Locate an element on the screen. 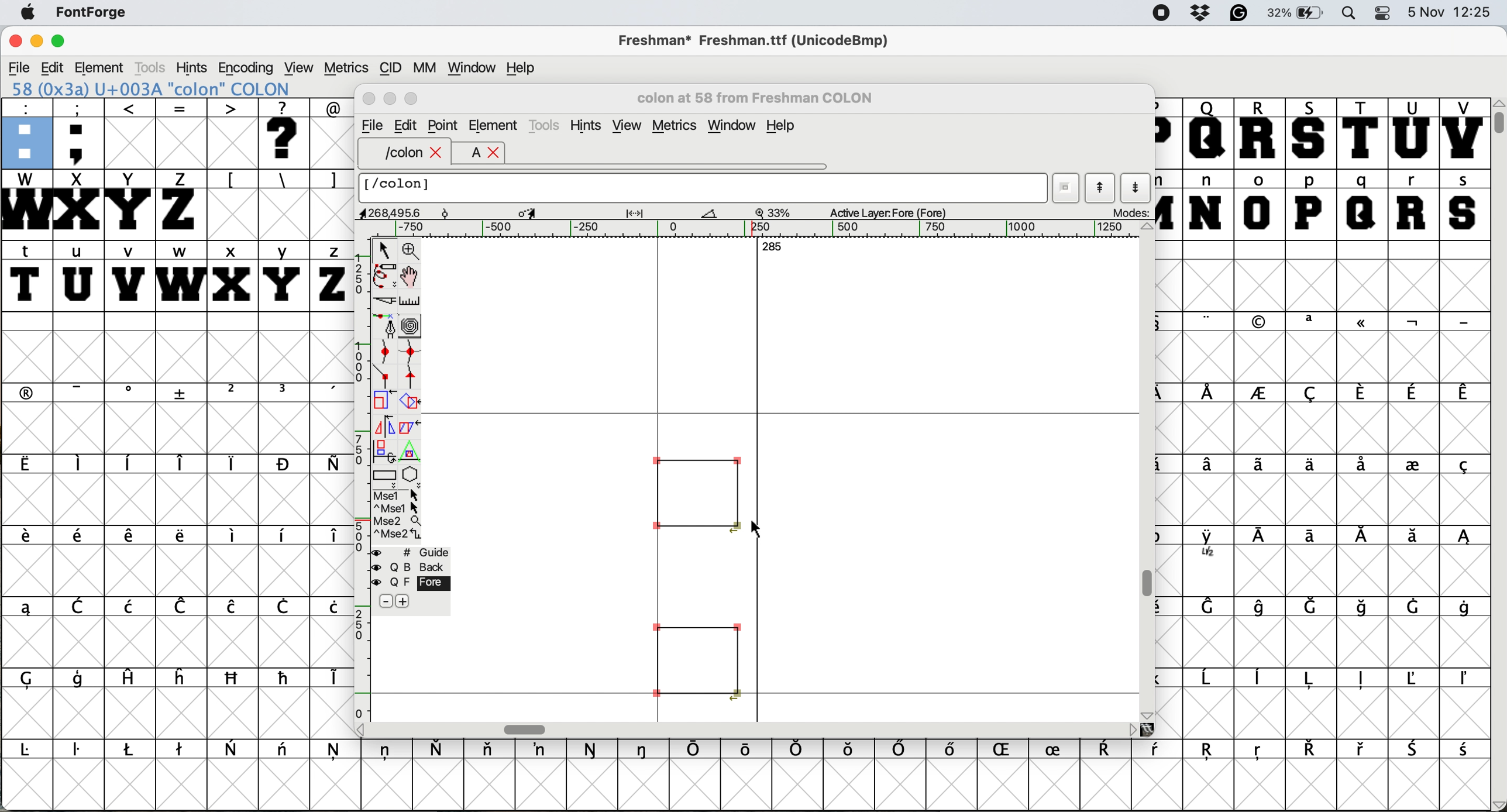 The width and height of the screenshot is (1507, 812). symbol is located at coordinates (1312, 322).